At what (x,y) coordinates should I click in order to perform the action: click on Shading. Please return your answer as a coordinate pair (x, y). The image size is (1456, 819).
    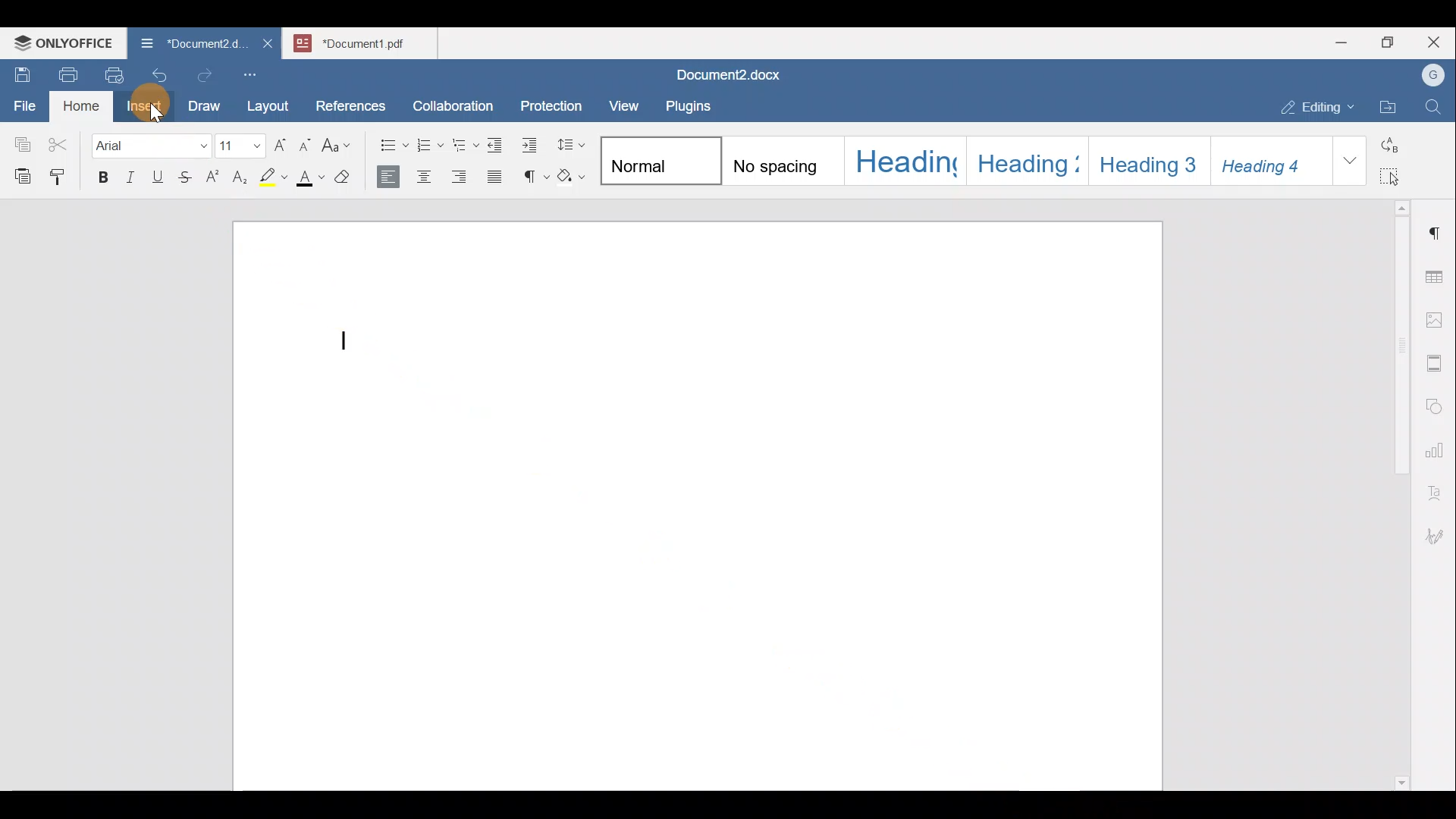
    Looking at the image, I should click on (573, 173).